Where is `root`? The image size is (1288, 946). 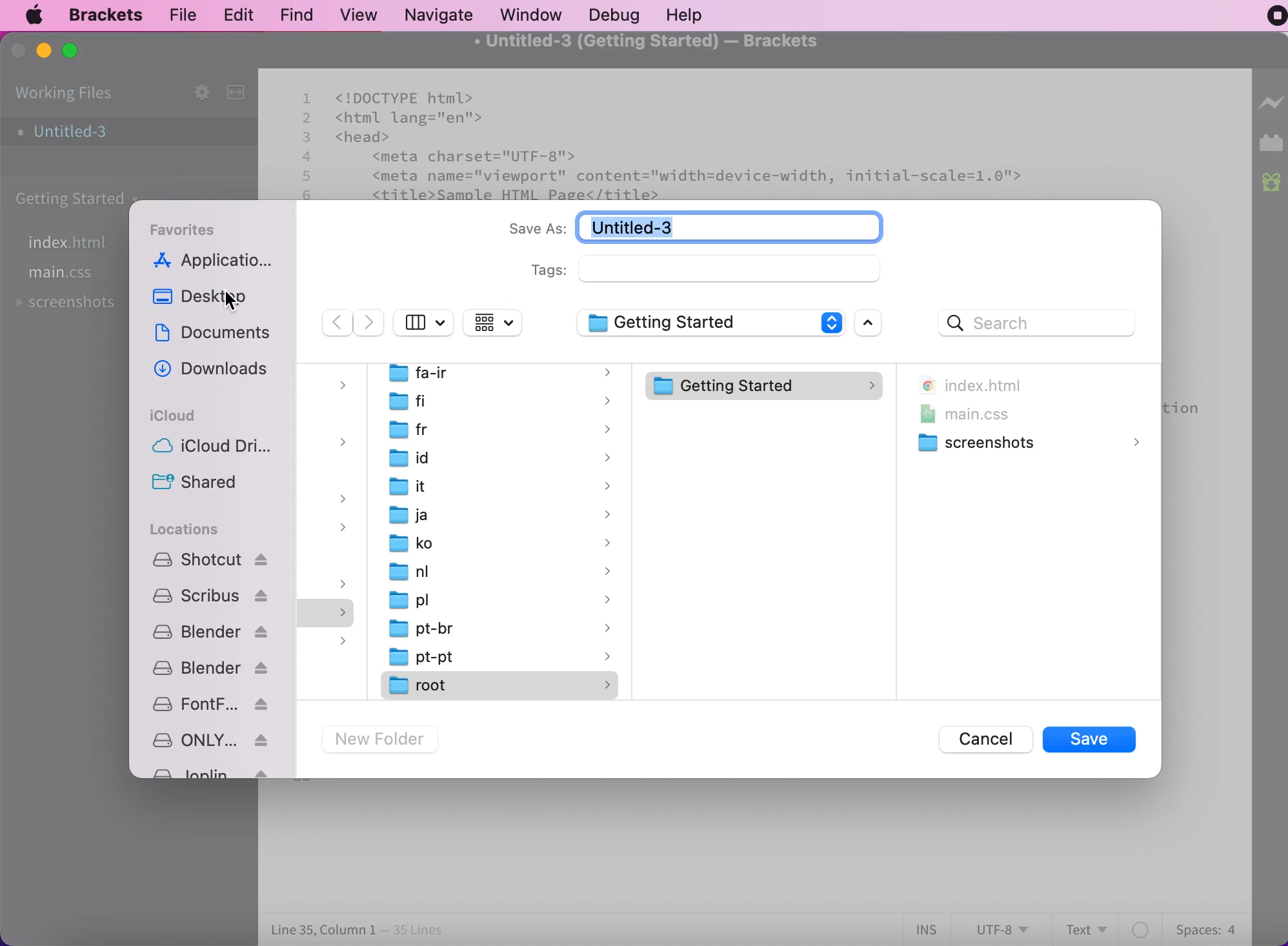
root is located at coordinates (500, 683).